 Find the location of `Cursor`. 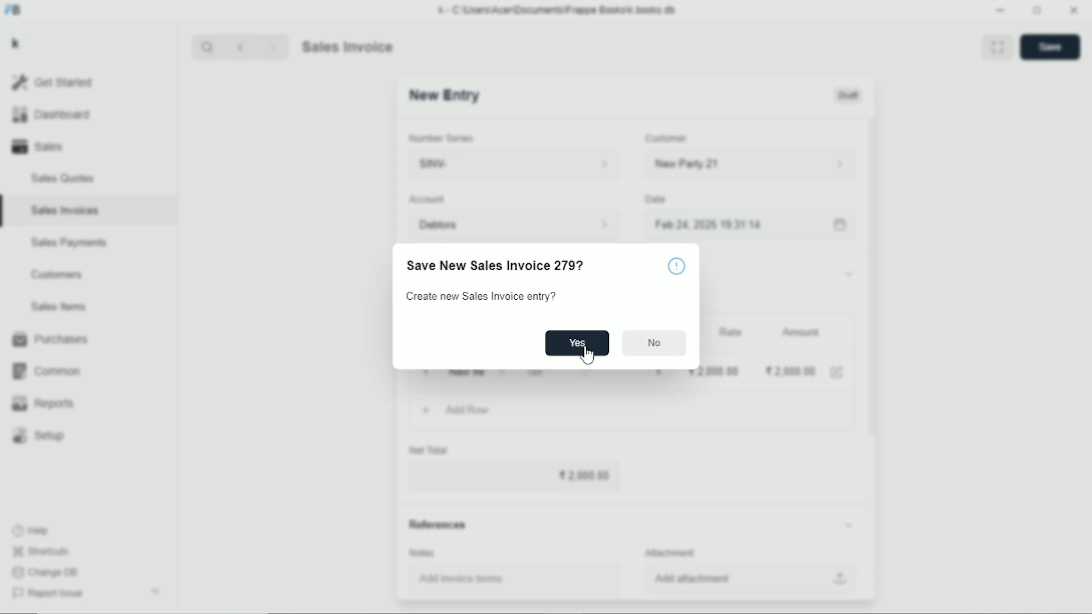

Cursor is located at coordinates (588, 354).